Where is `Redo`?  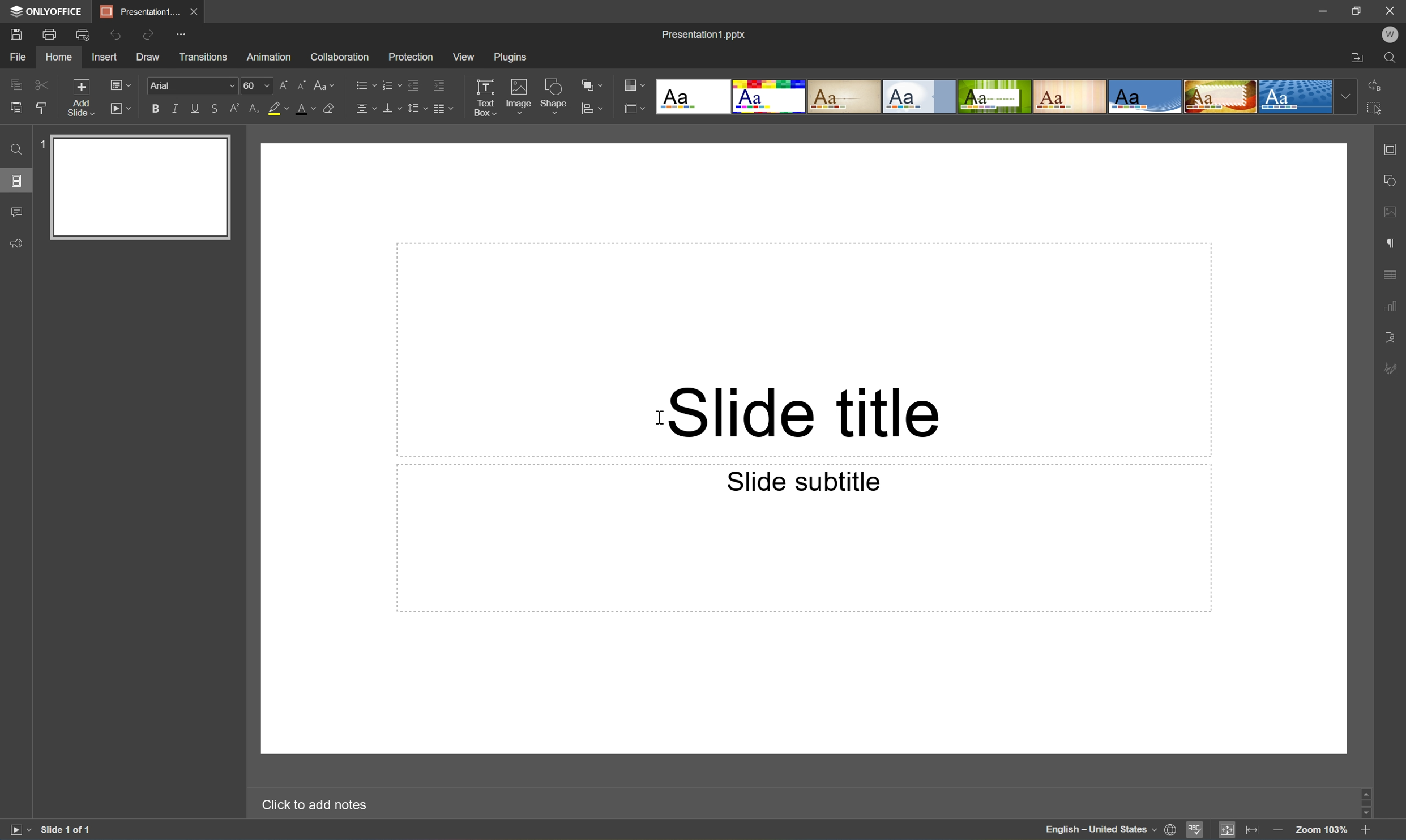 Redo is located at coordinates (146, 36).